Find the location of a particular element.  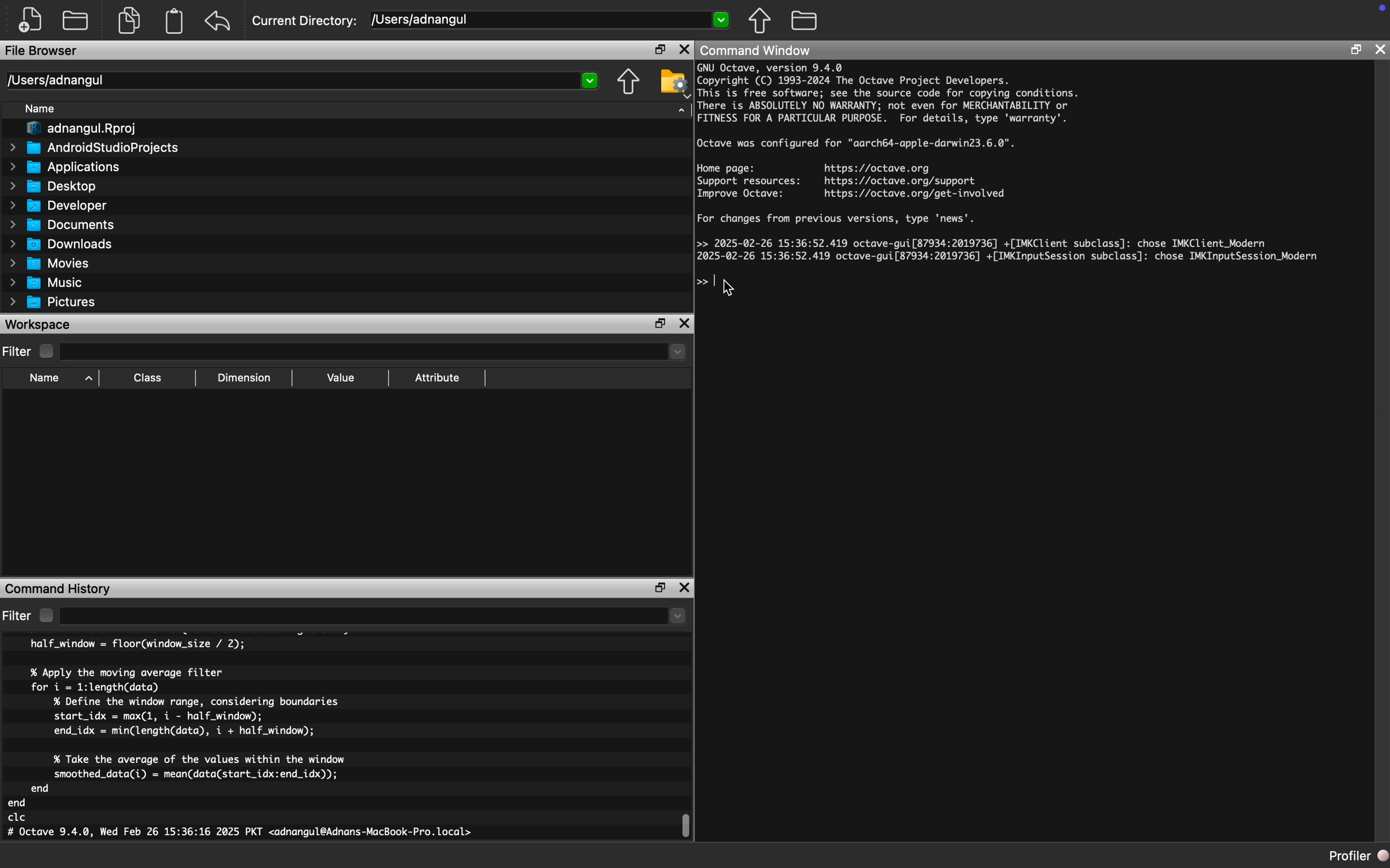

Profiler is located at coordinates (1357, 856).